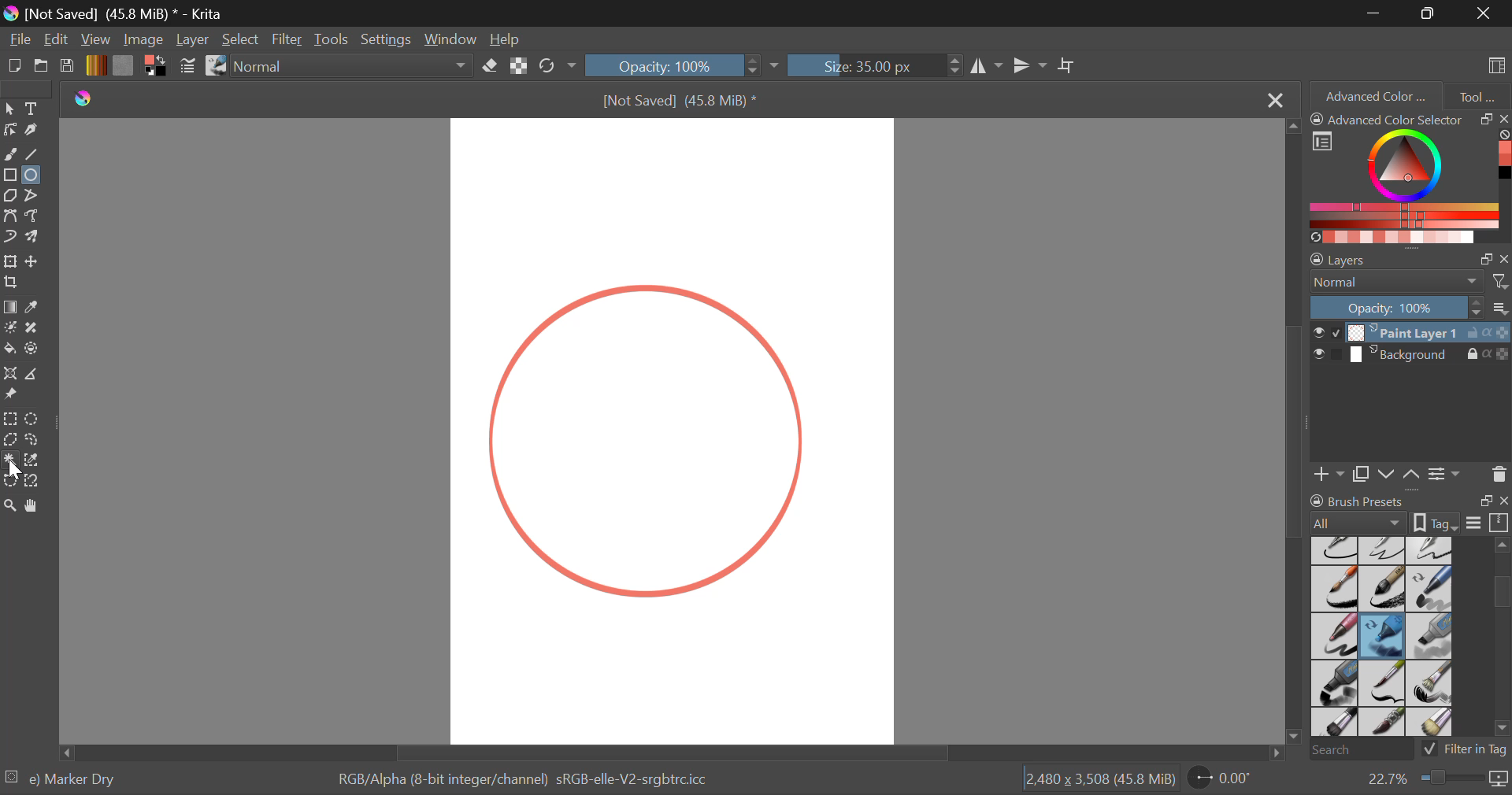 The width and height of the screenshot is (1512, 795). What do you see at coordinates (1477, 94) in the screenshot?
I see `Tool` at bounding box center [1477, 94].